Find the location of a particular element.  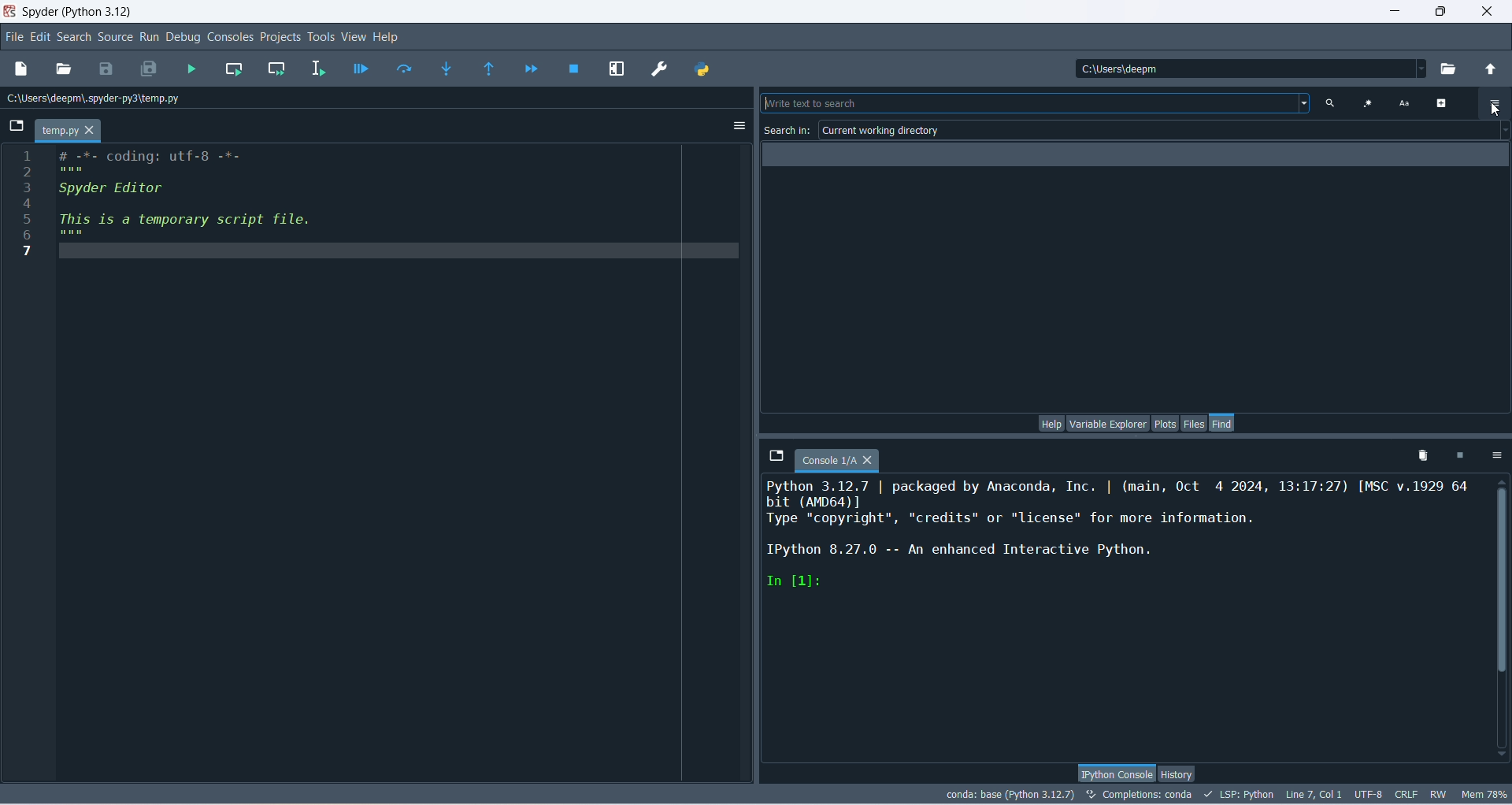

search in is located at coordinates (788, 130).